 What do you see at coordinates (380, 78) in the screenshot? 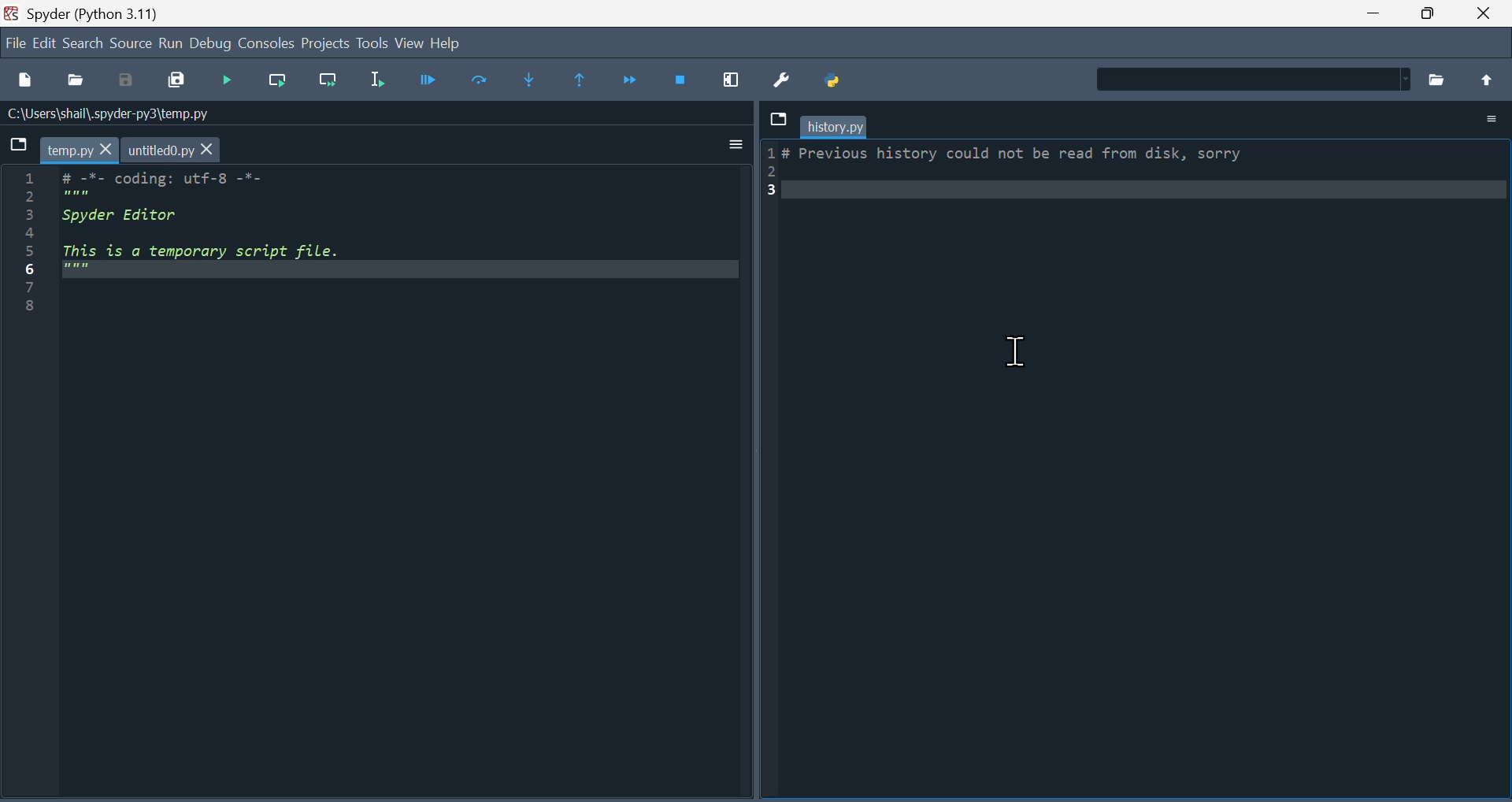
I see `Run selection` at bounding box center [380, 78].